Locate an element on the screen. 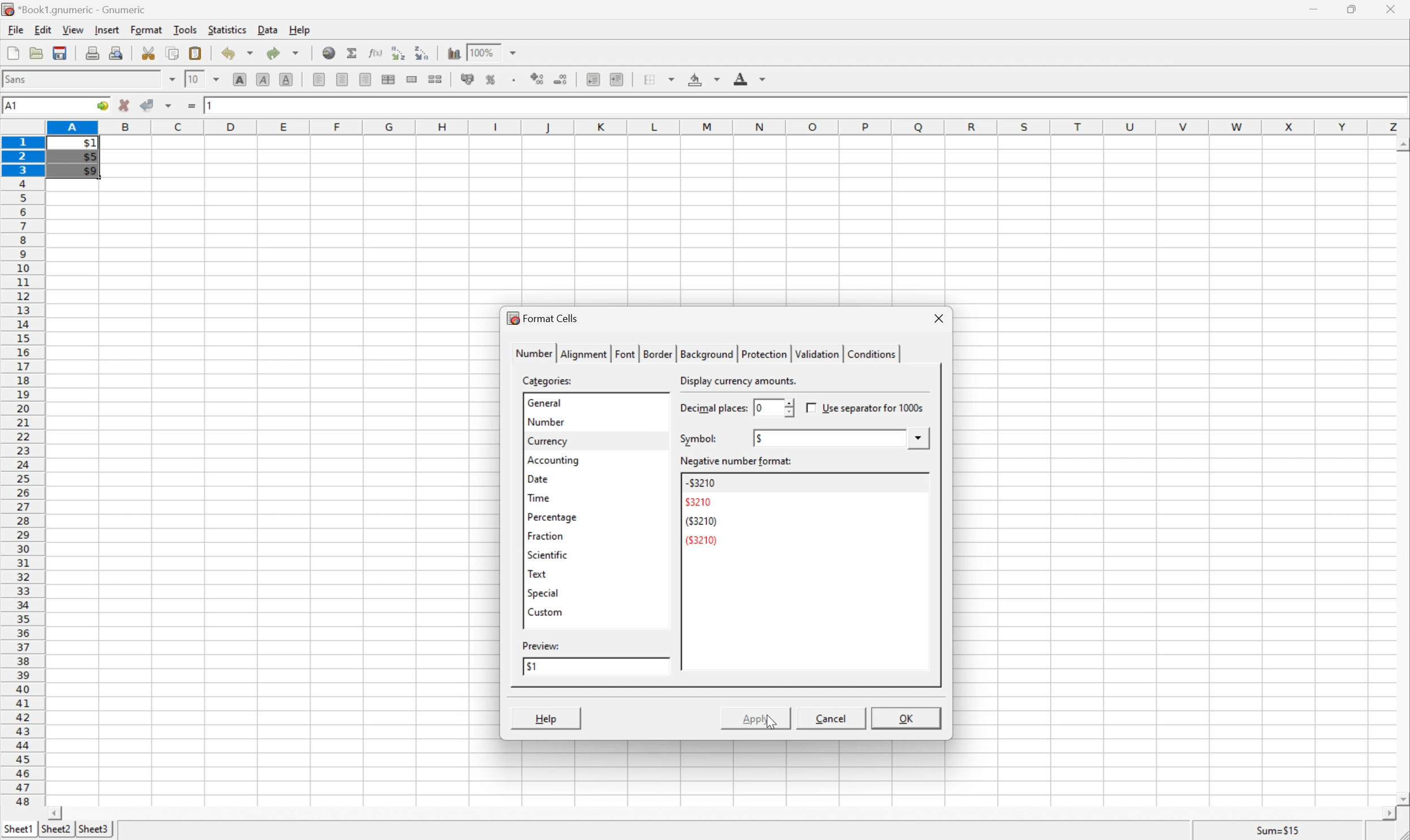 The width and height of the screenshot is (1410, 840). accounting is located at coordinates (554, 460).